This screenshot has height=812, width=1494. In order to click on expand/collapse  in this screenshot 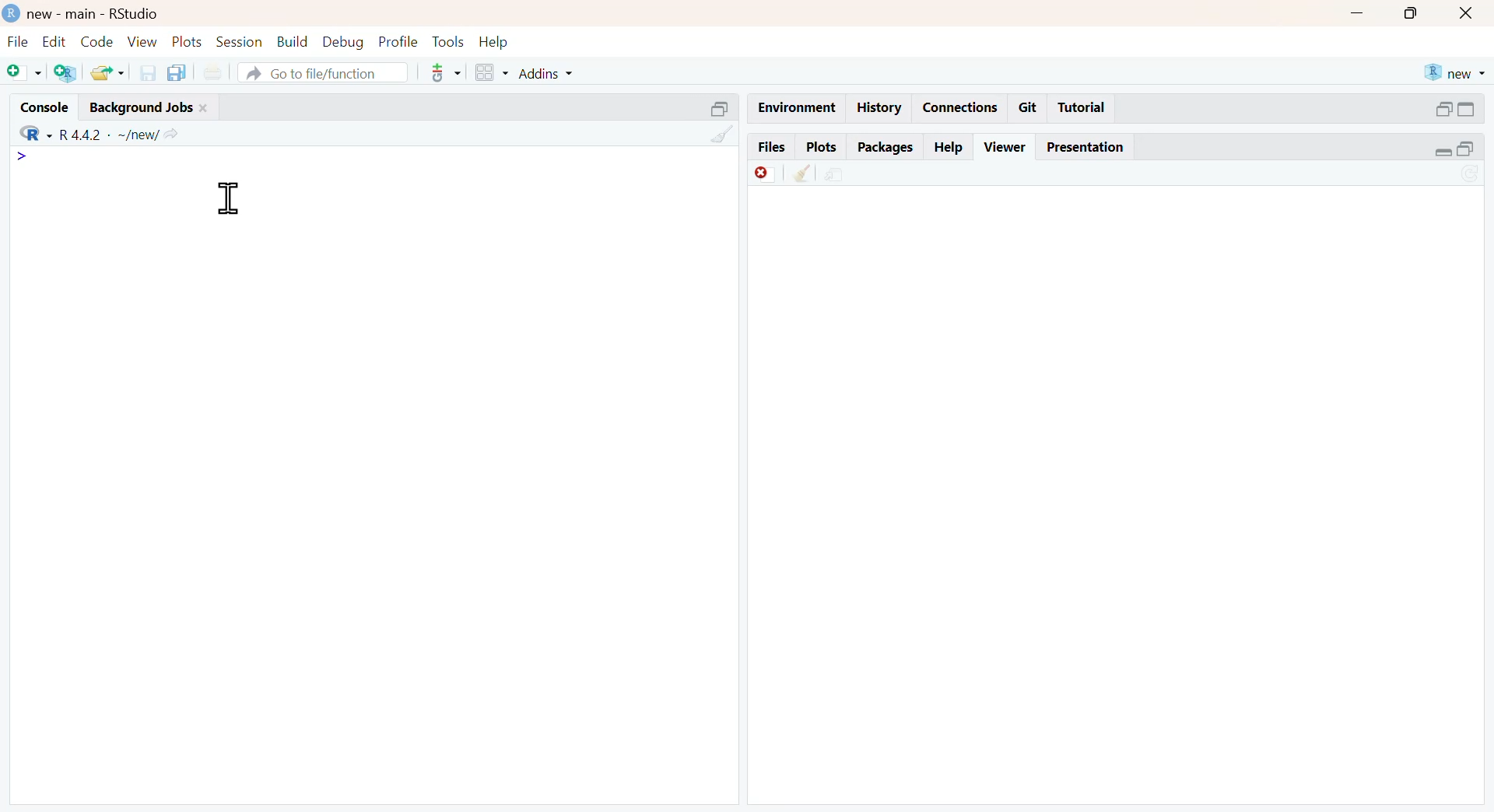, I will do `click(721, 108)`.